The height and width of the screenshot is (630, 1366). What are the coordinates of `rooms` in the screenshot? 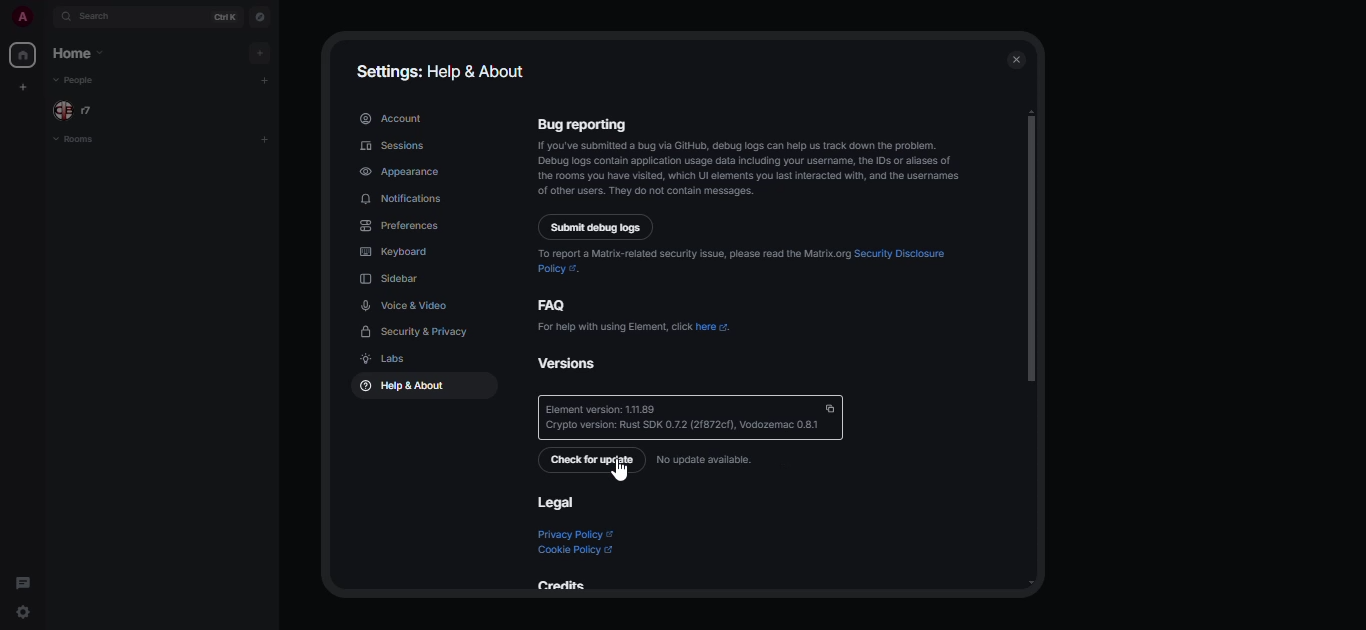 It's located at (83, 140).